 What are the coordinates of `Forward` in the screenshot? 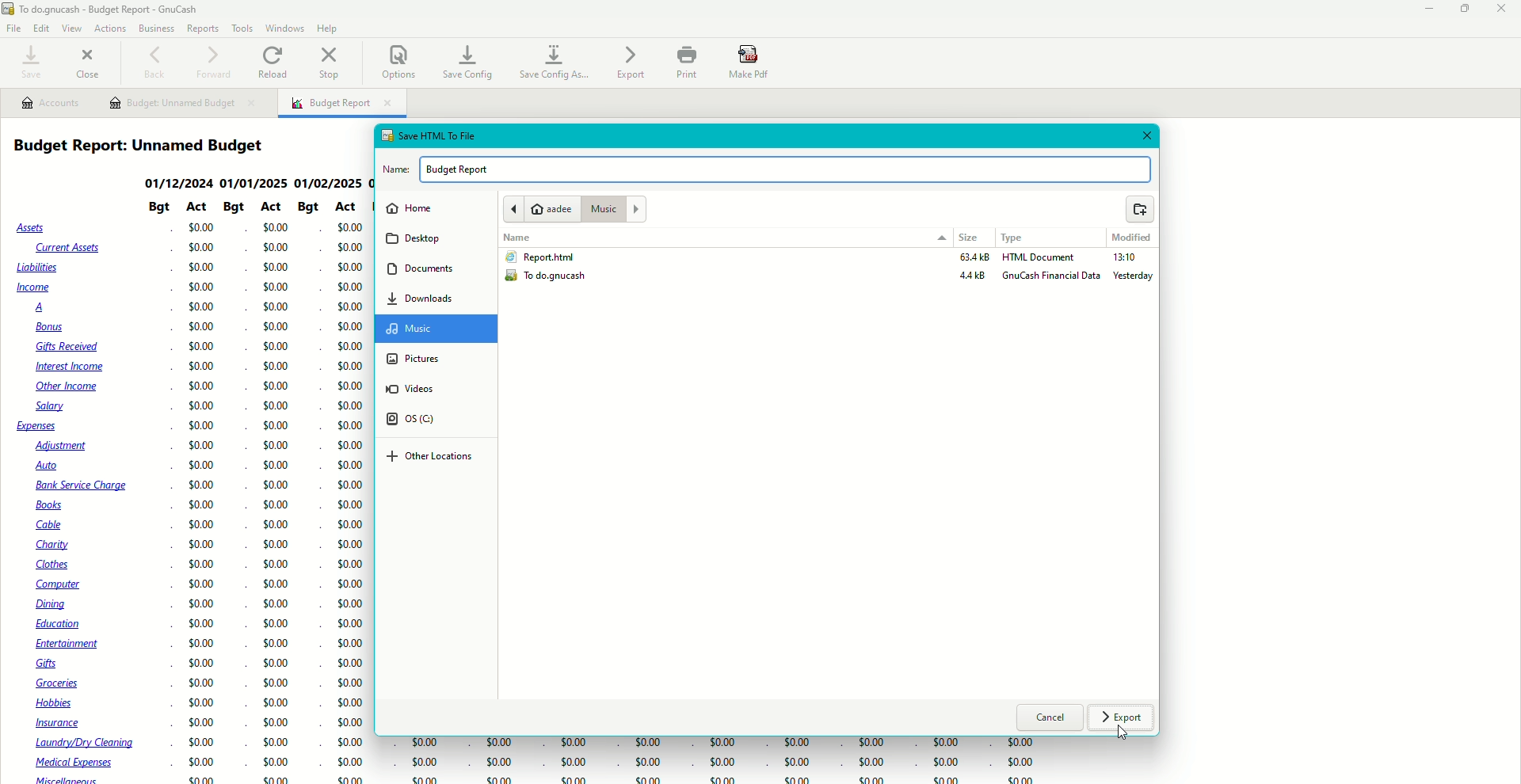 It's located at (213, 61).